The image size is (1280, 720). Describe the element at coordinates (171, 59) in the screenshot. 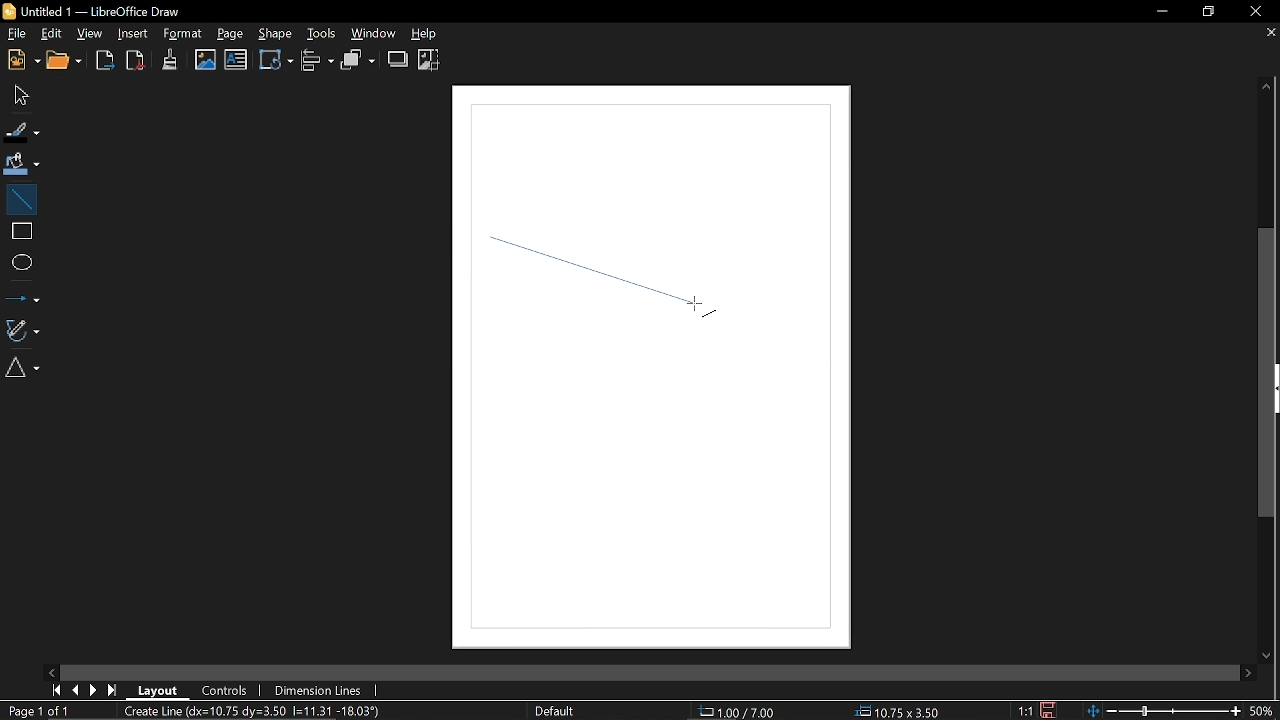

I see `Clone` at that location.